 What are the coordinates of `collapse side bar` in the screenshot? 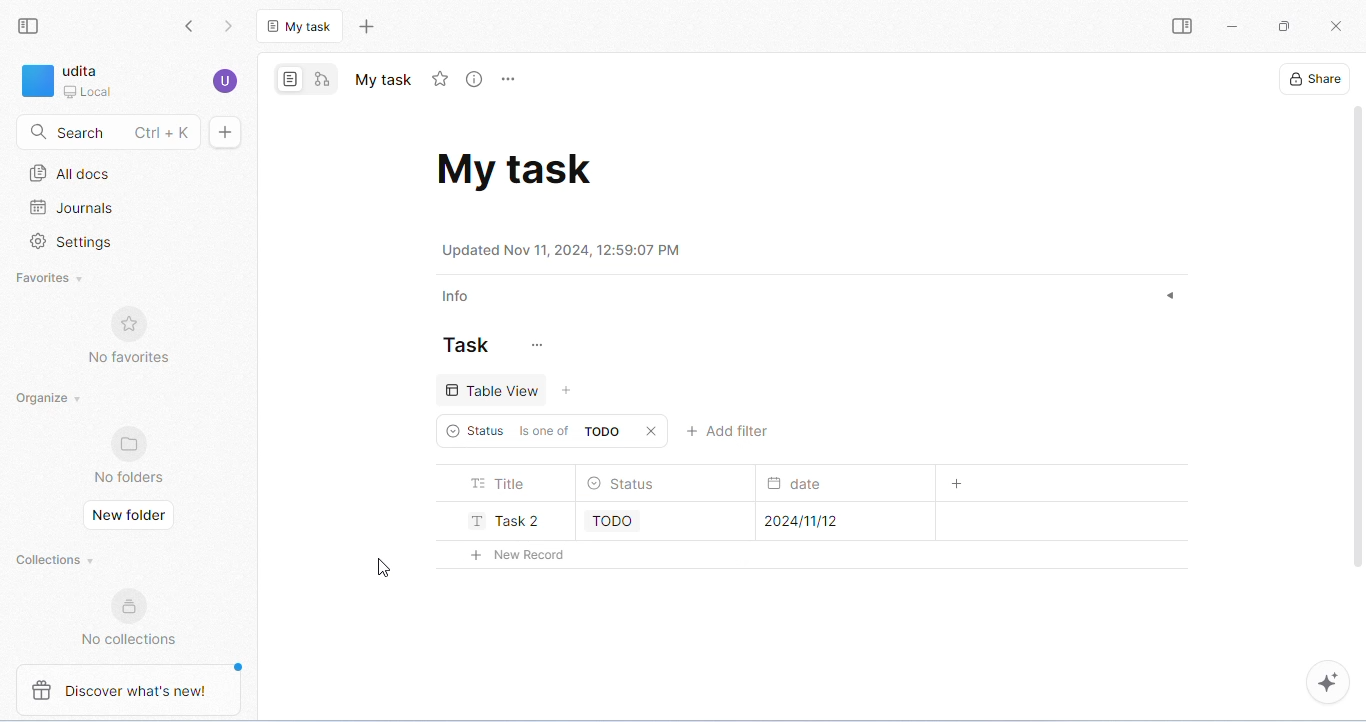 It's located at (28, 27).